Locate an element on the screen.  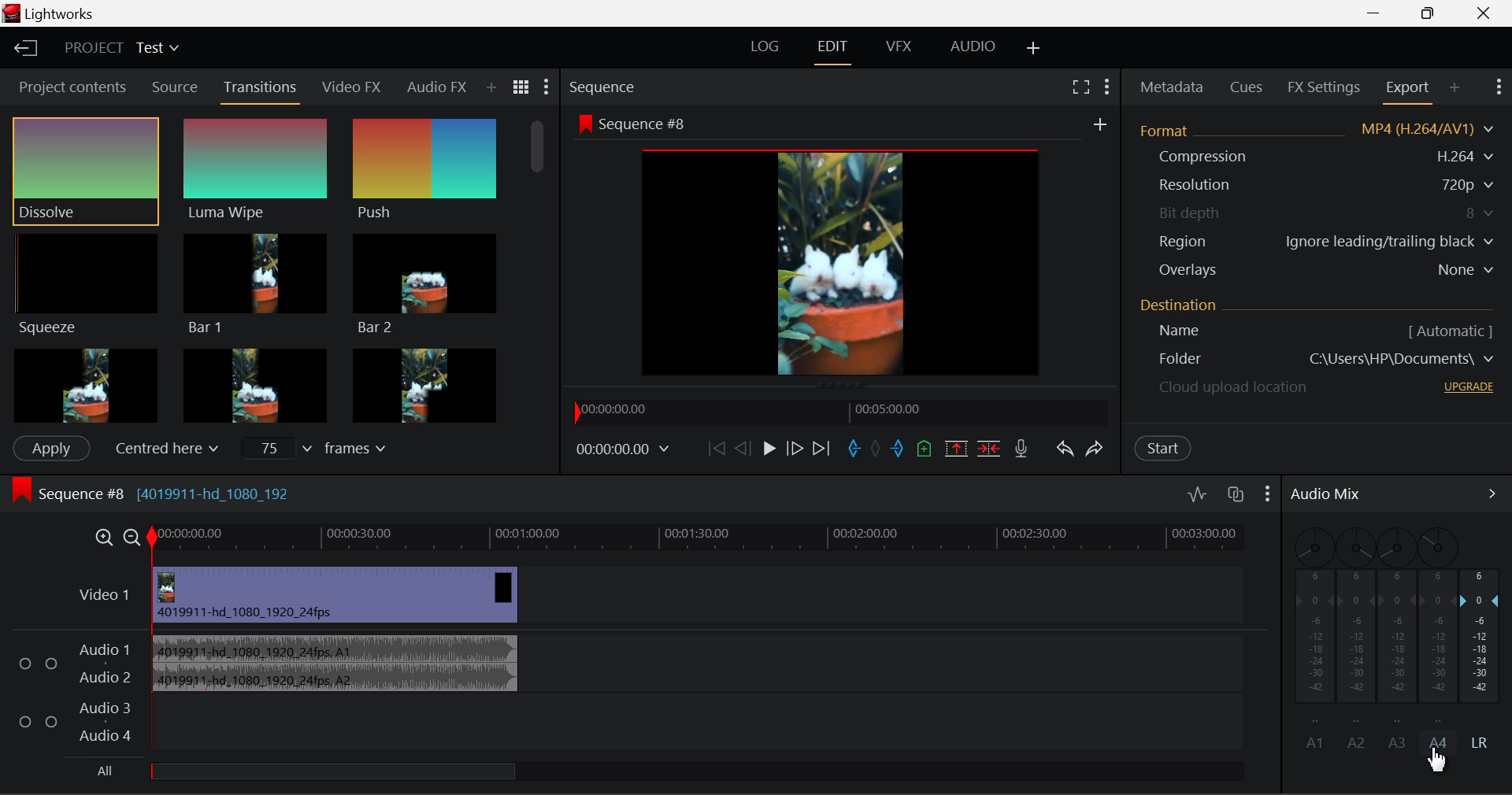
Export is located at coordinates (1405, 91).